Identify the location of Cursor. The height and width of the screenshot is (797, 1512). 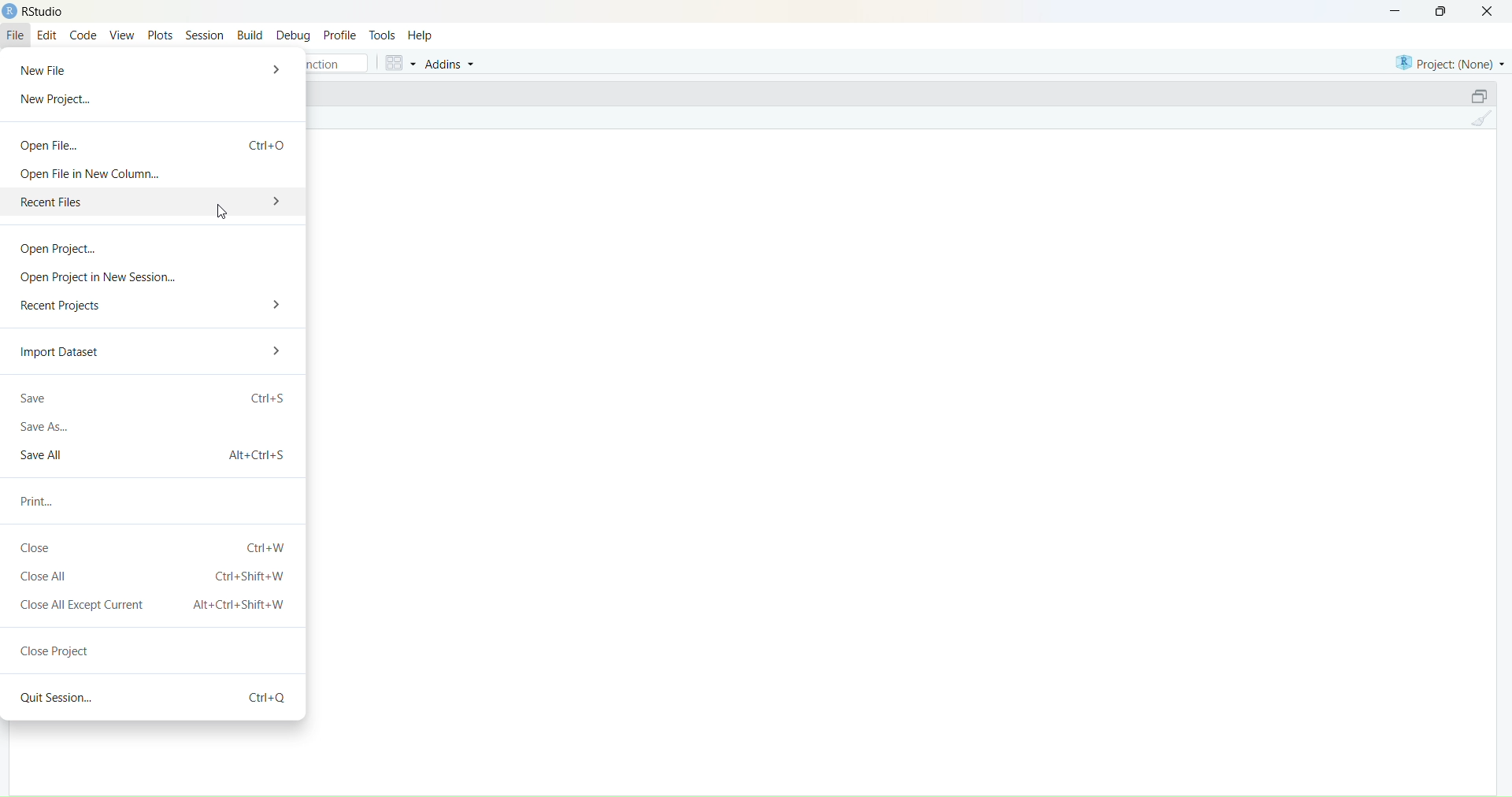
(224, 213).